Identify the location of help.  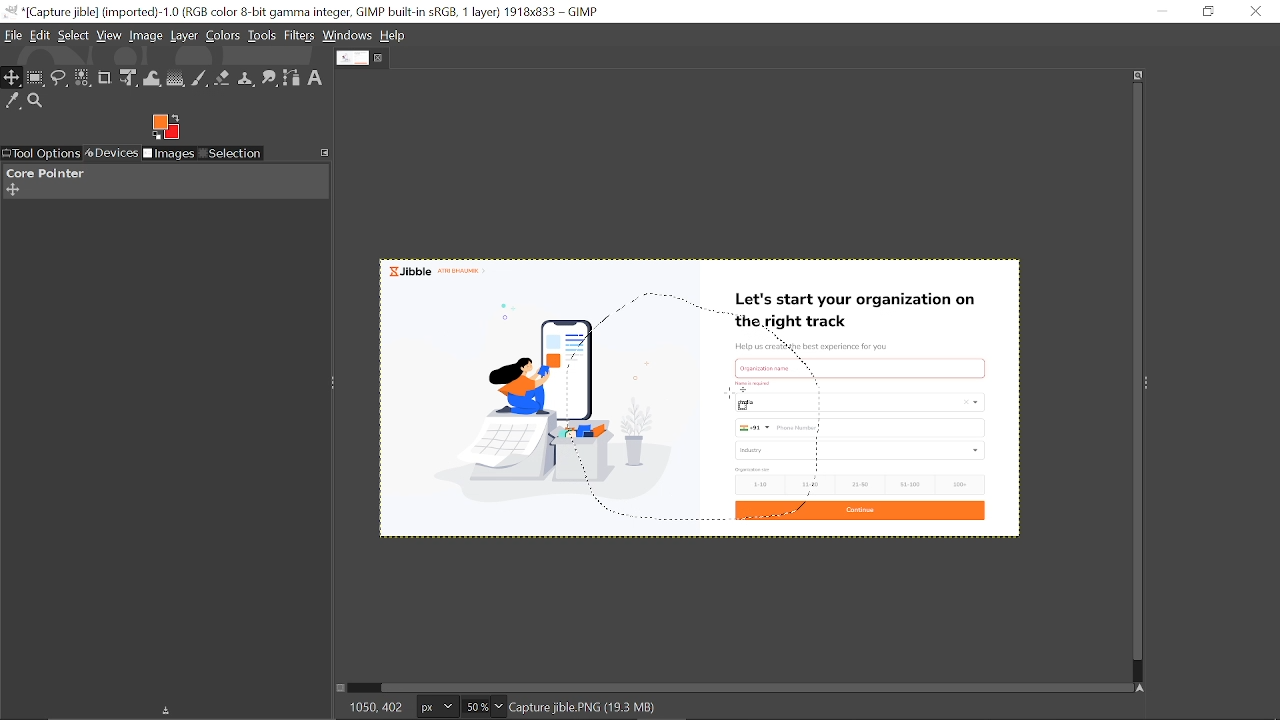
(394, 36).